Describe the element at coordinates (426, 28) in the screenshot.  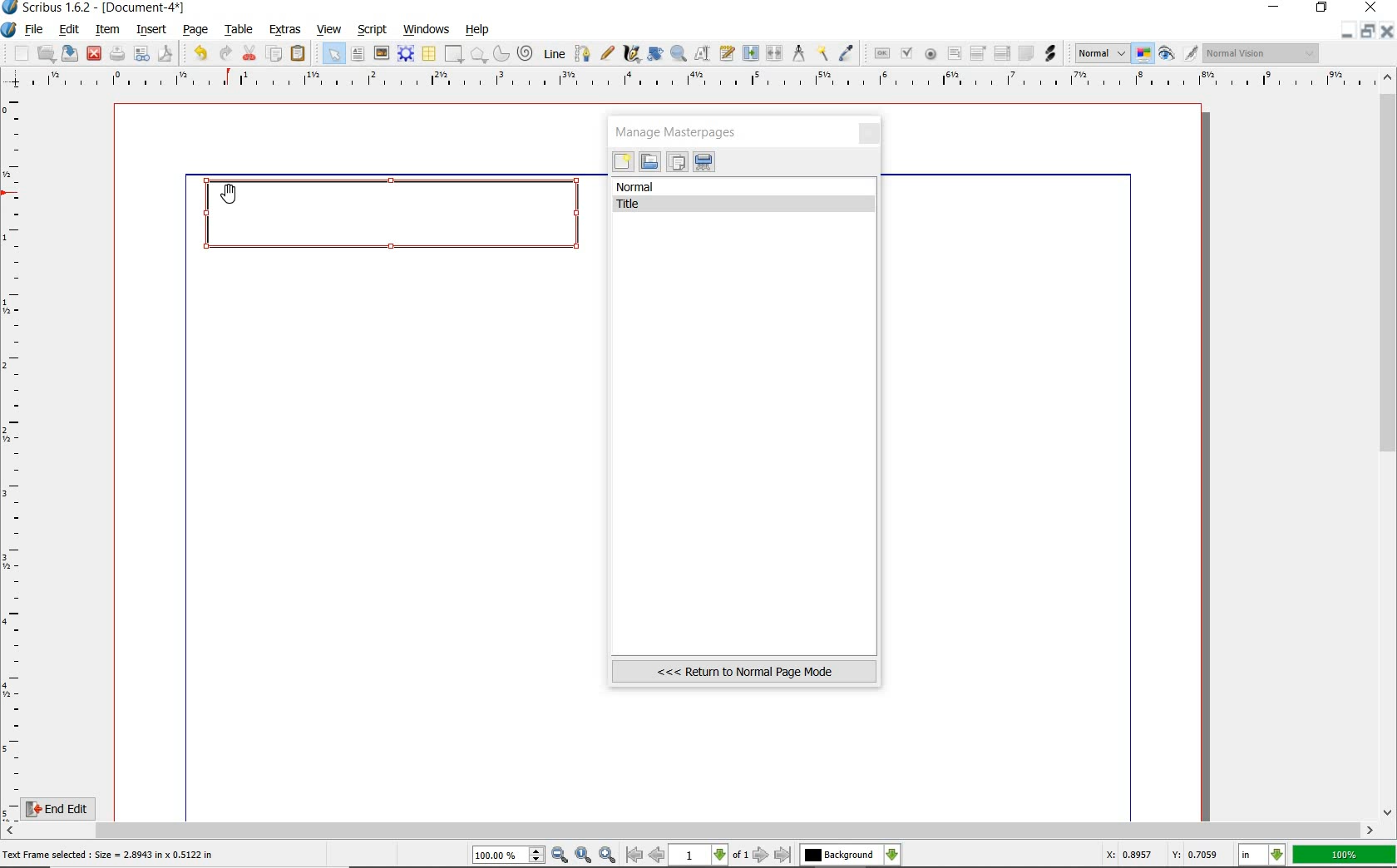
I see `windows` at that location.